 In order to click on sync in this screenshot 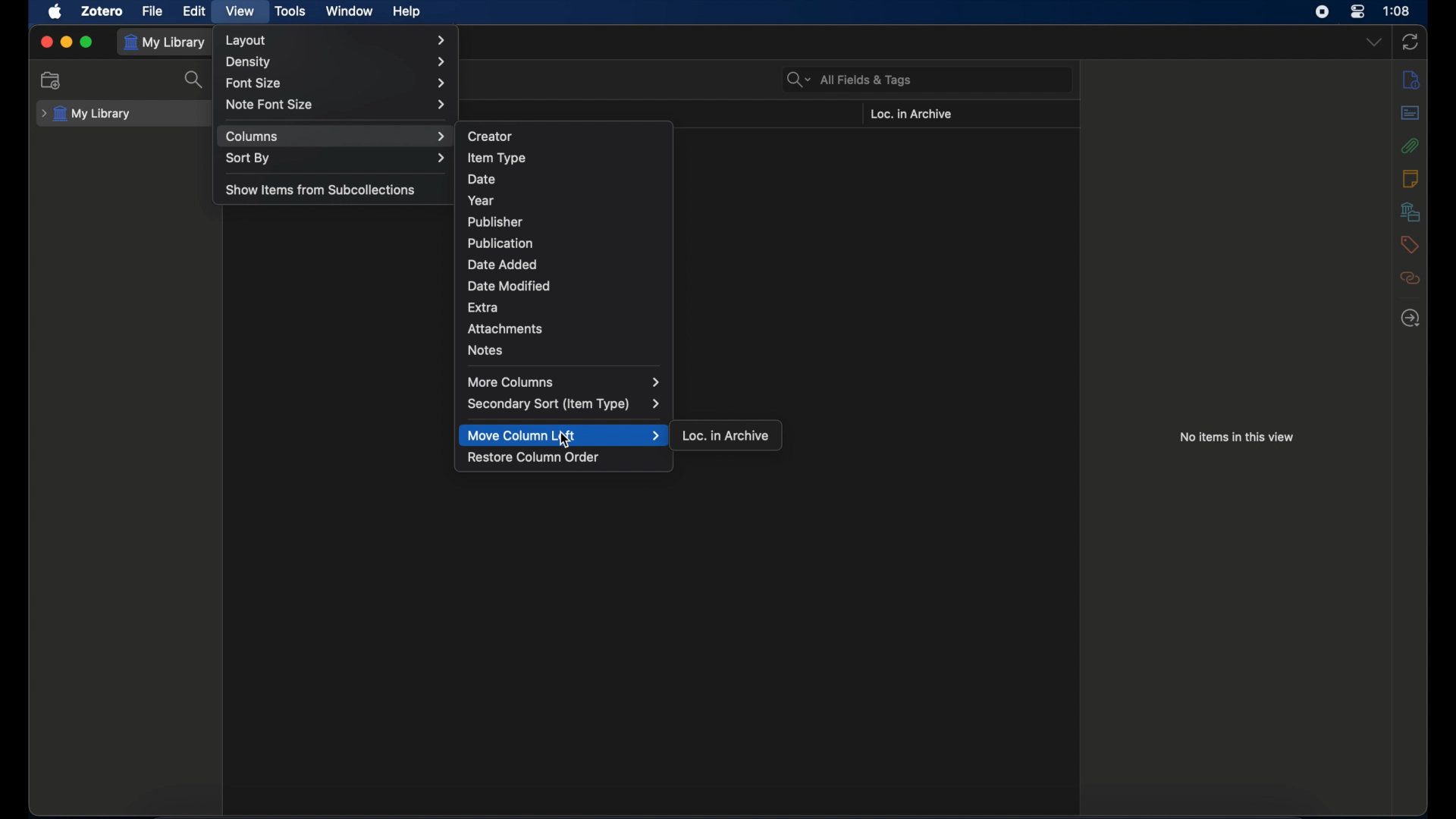, I will do `click(1411, 42)`.